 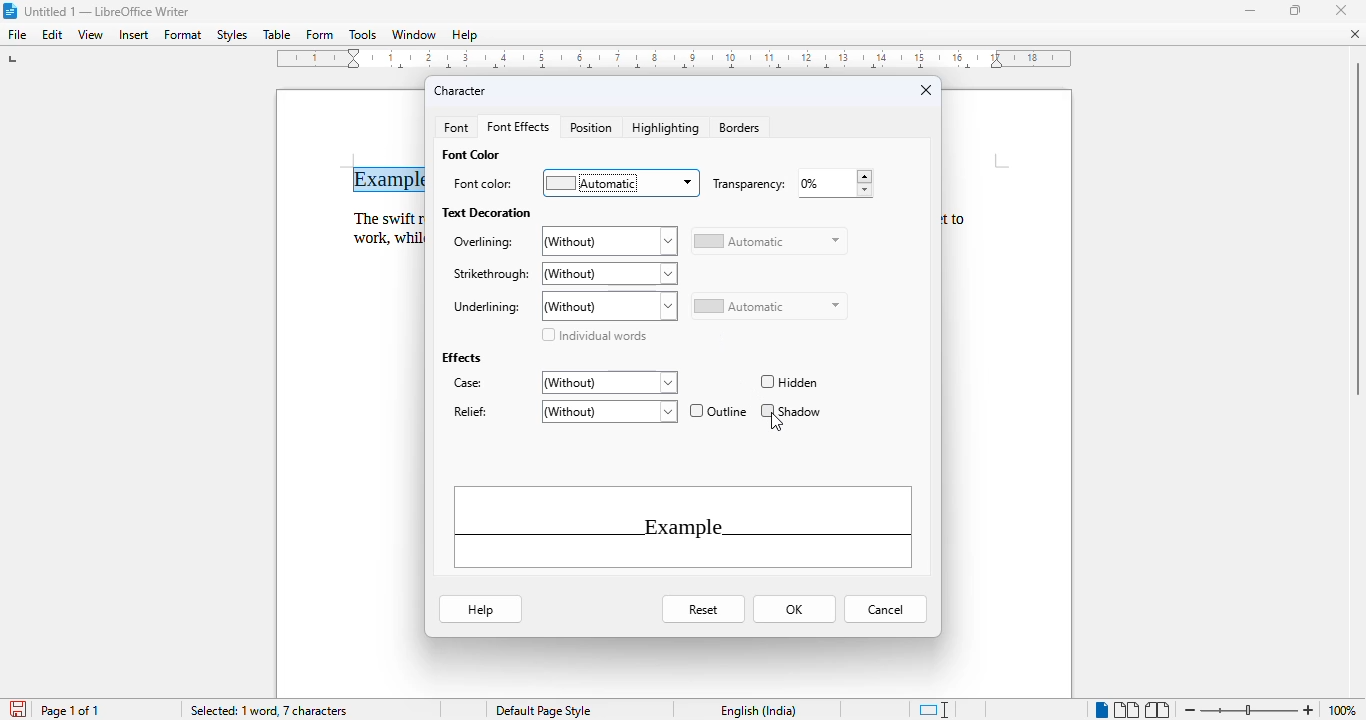 What do you see at coordinates (759, 711) in the screenshot?
I see `English (India)` at bounding box center [759, 711].